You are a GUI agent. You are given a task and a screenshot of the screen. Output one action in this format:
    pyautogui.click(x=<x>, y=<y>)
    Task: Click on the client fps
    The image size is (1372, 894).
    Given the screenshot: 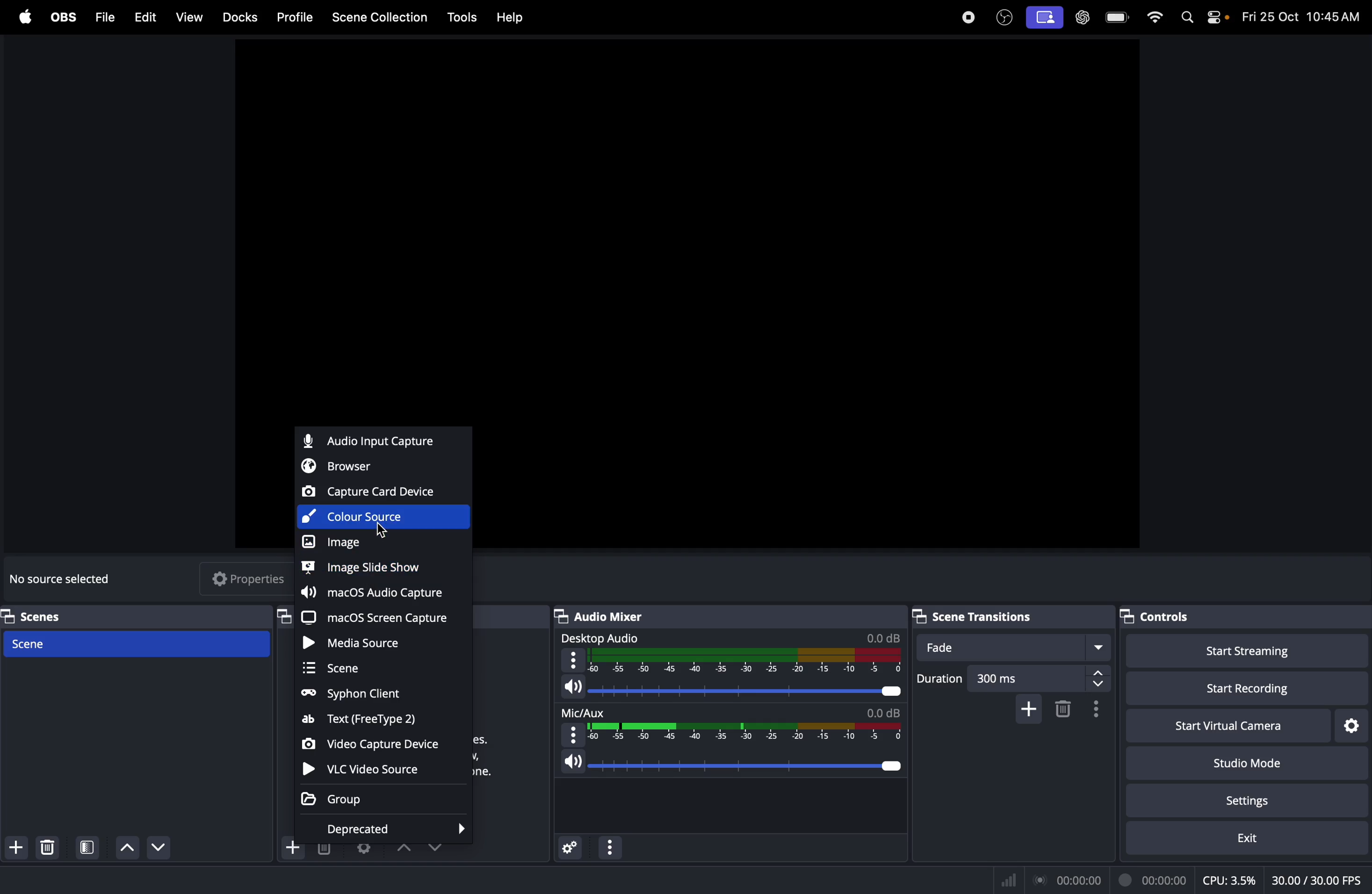 What is the action you would take?
    pyautogui.click(x=1314, y=876)
    